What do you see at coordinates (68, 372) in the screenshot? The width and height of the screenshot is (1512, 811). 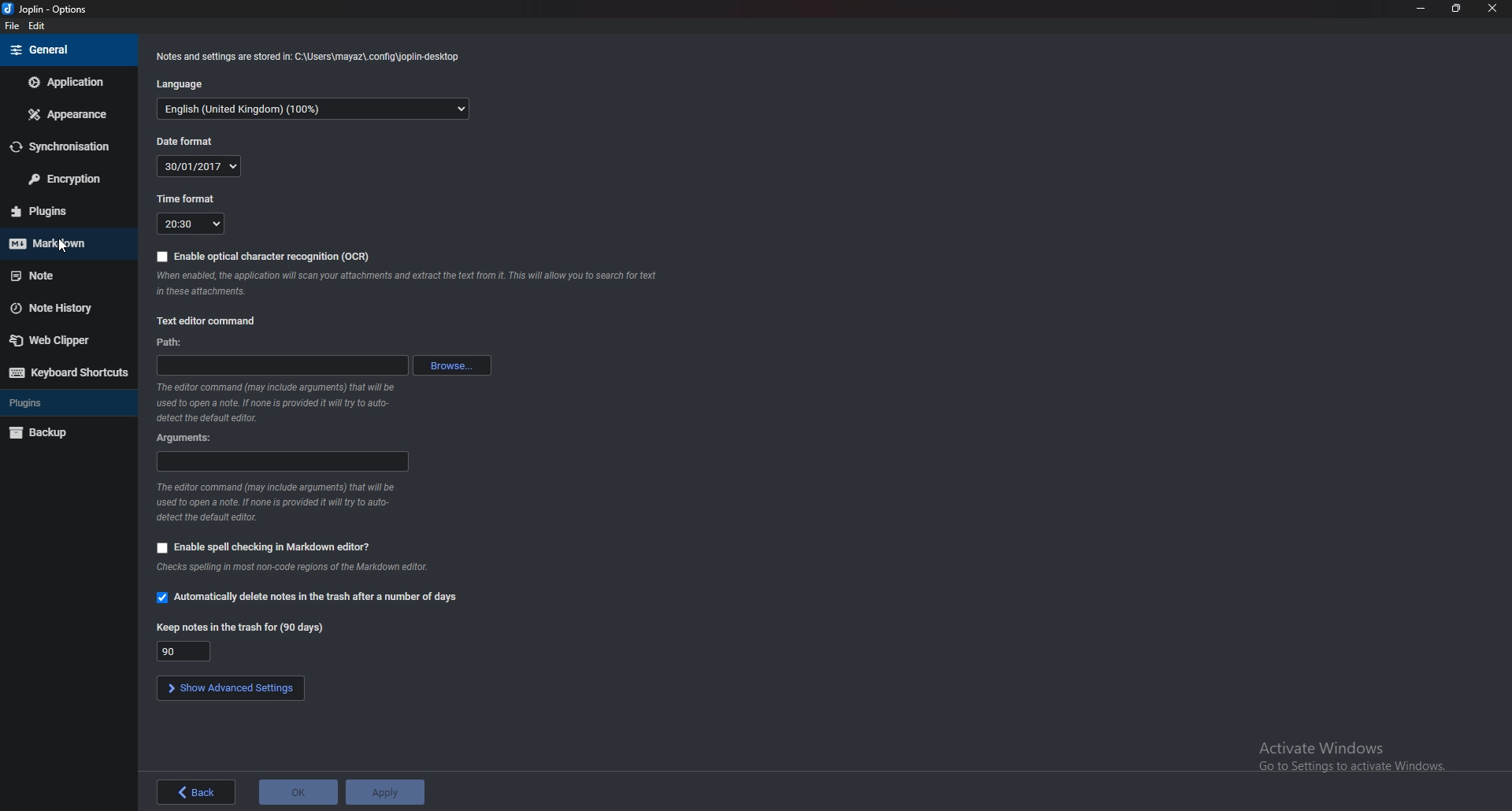 I see `Keyboard shortcuts` at bounding box center [68, 372].